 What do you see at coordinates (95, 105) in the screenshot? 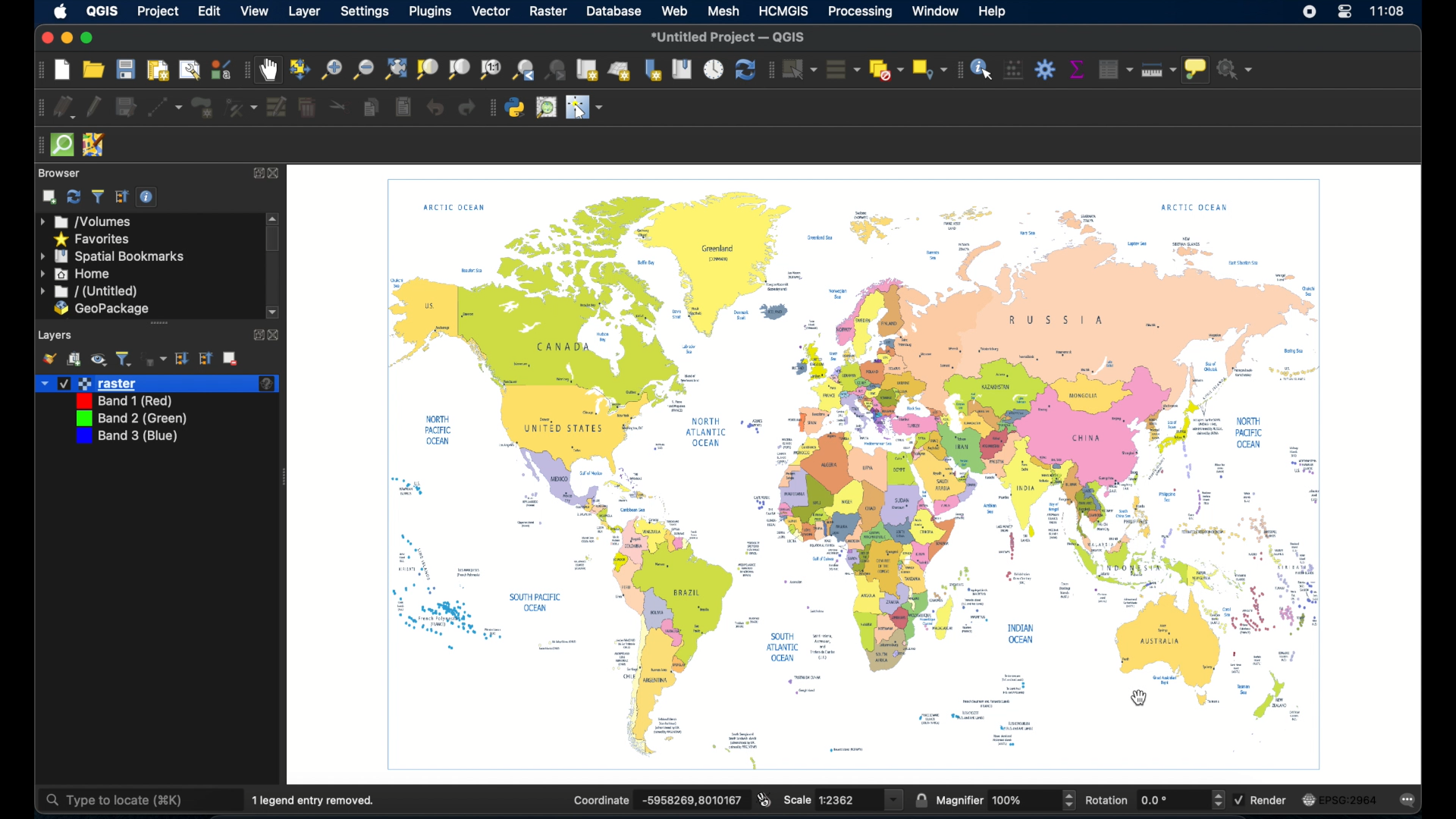
I see `toggle editing` at bounding box center [95, 105].